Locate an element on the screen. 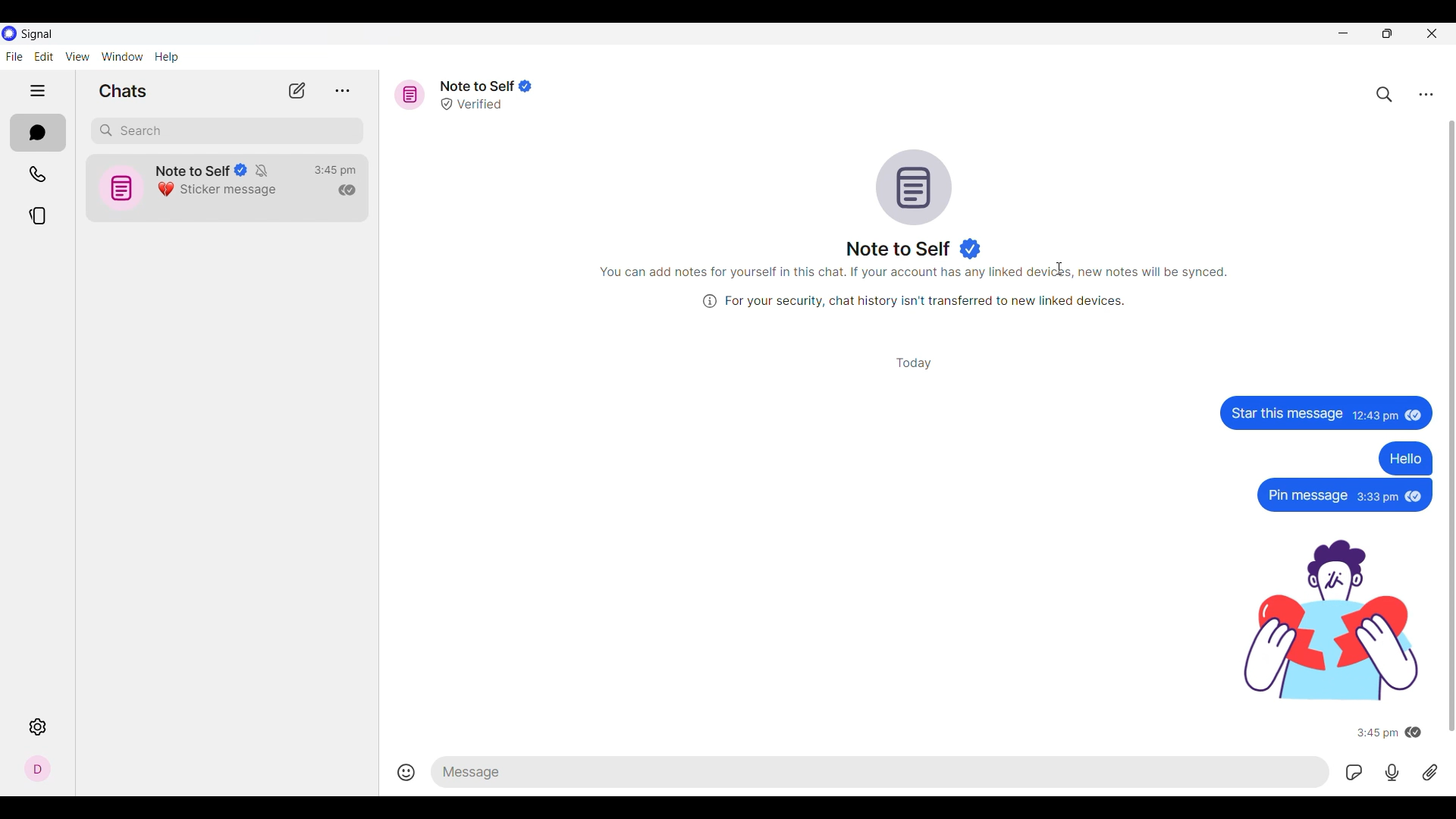  Note to Self is located at coordinates (485, 86).